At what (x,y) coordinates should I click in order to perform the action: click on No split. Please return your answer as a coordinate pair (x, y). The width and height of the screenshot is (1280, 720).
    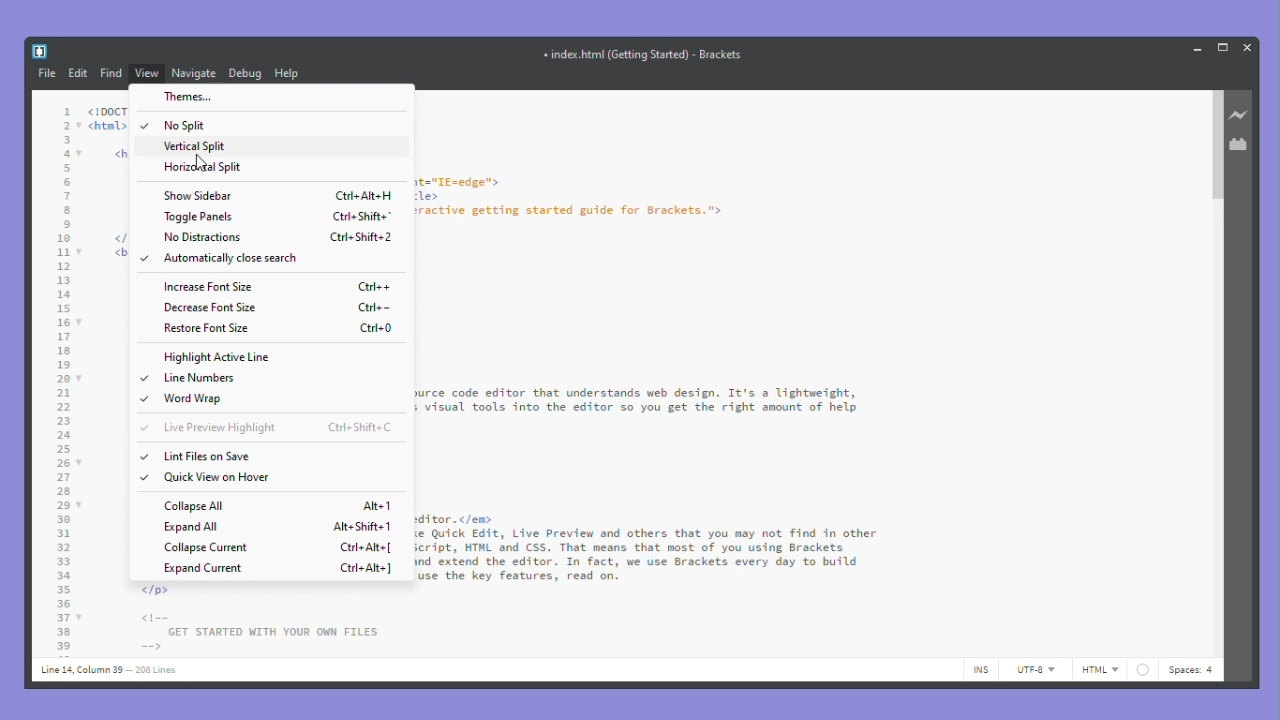
    Looking at the image, I should click on (191, 125).